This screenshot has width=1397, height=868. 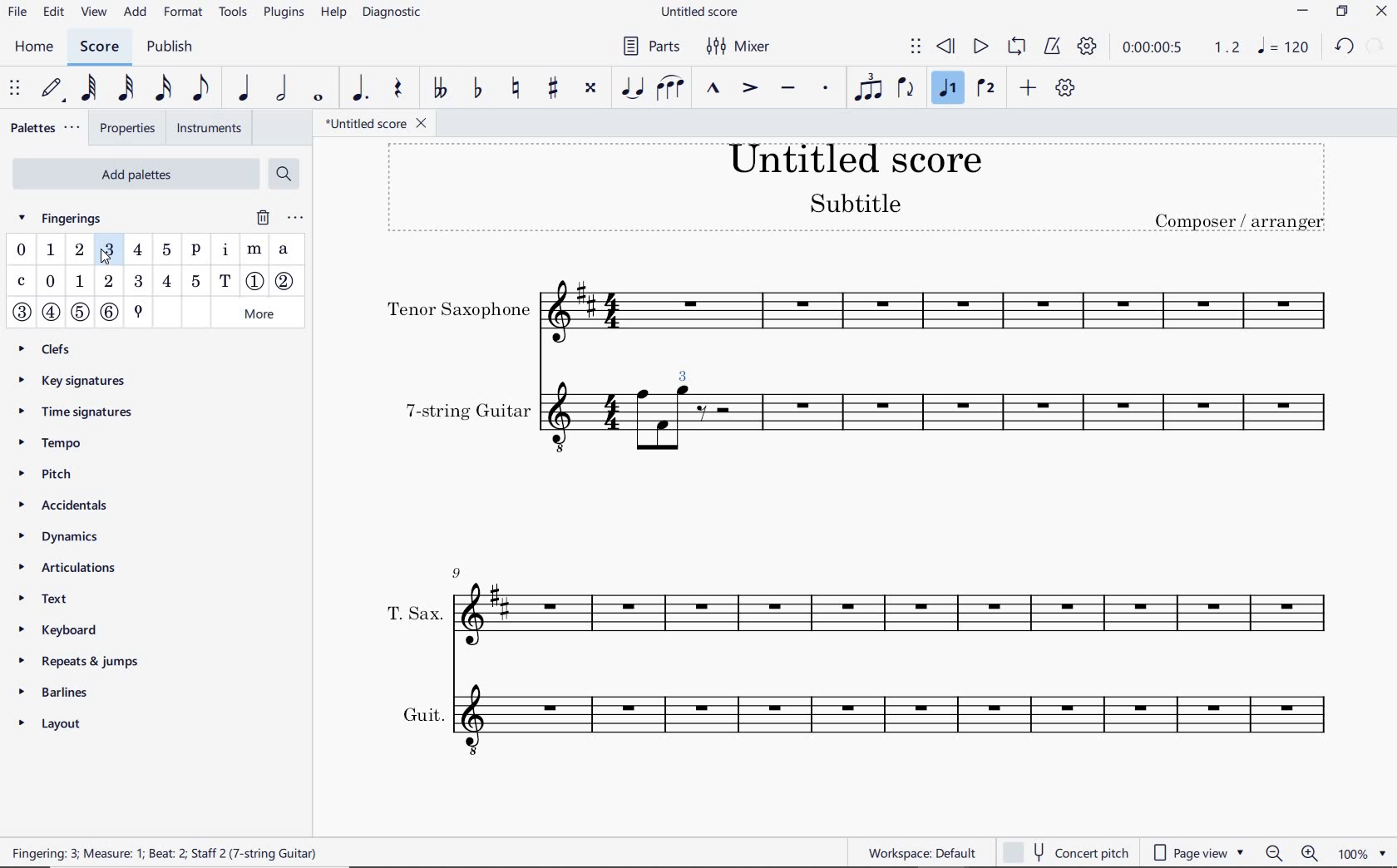 What do you see at coordinates (1026, 89) in the screenshot?
I see `ADD` at bounding box center [1026, 89].